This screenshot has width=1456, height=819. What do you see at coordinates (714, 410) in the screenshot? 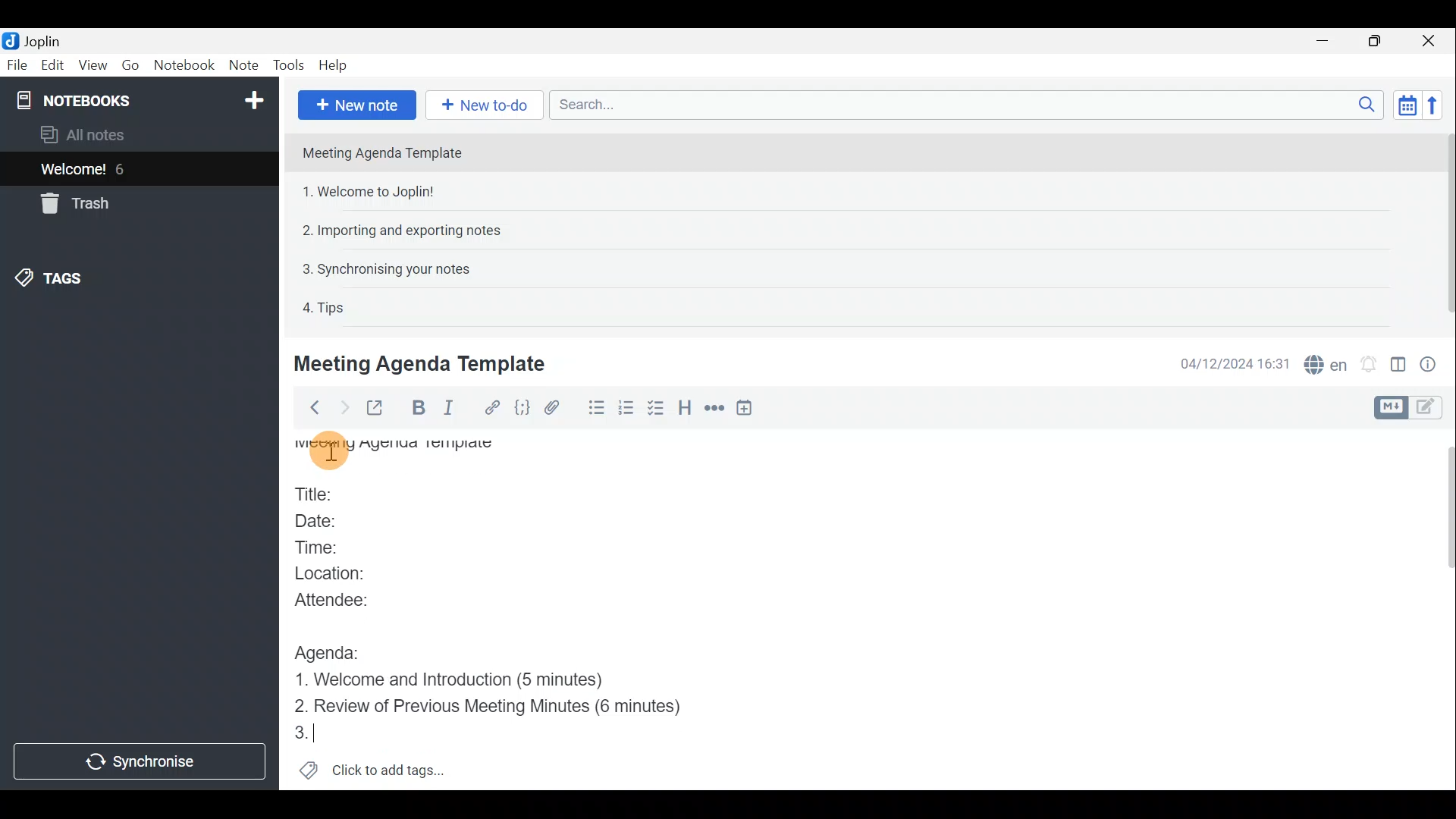
I see `Horizontal rule` at bounding box center [714, 410].